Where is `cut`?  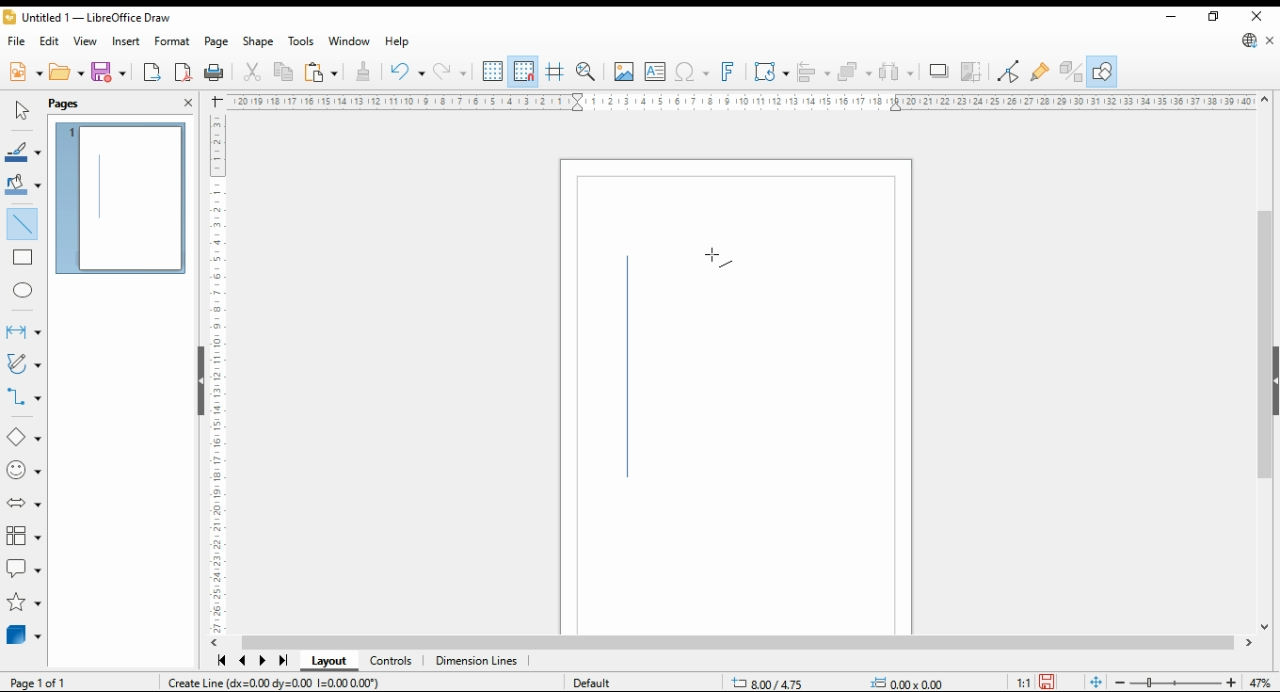
cut is located at coordinates (254, 72).